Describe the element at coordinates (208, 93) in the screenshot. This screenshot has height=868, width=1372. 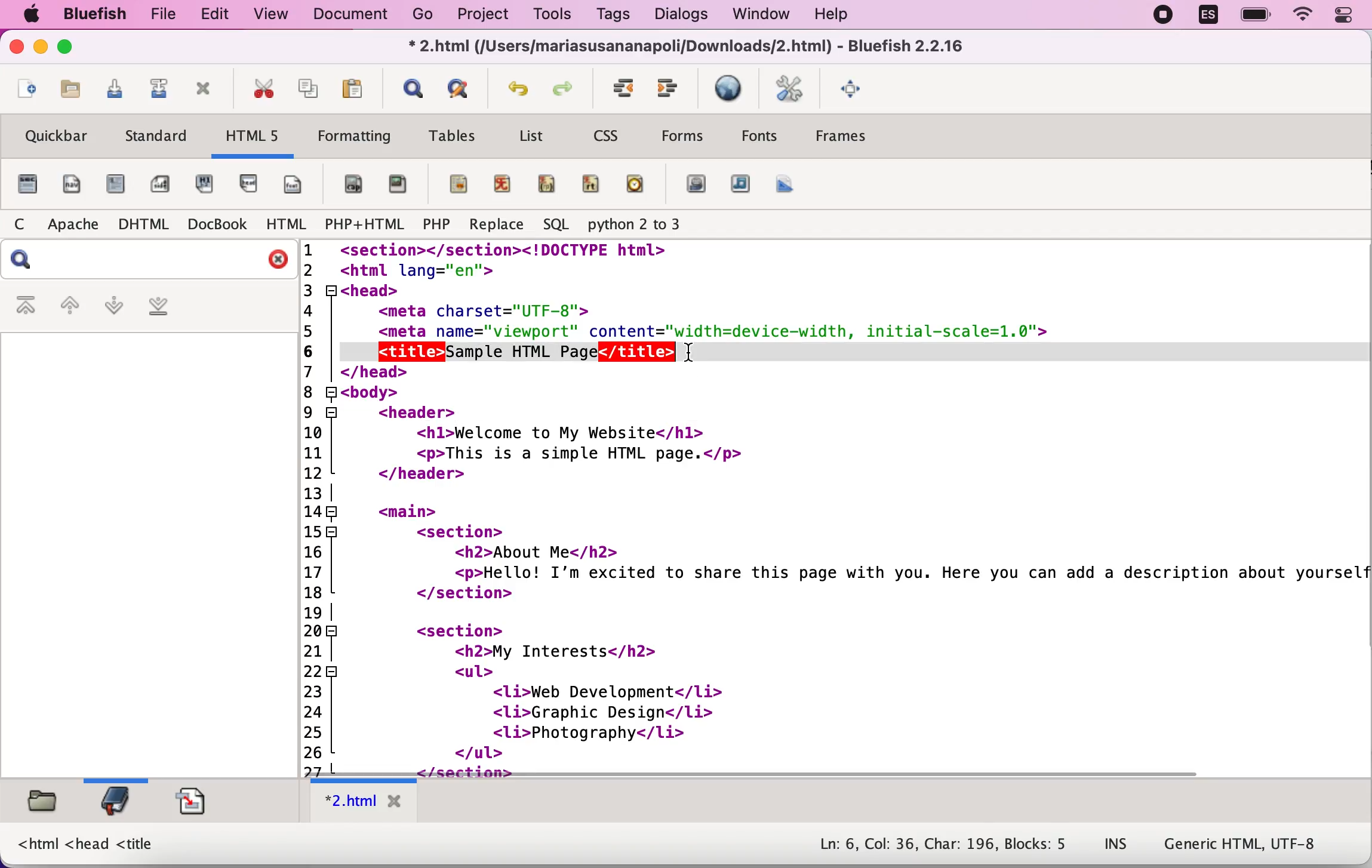
I see `close toolbar` at that location.